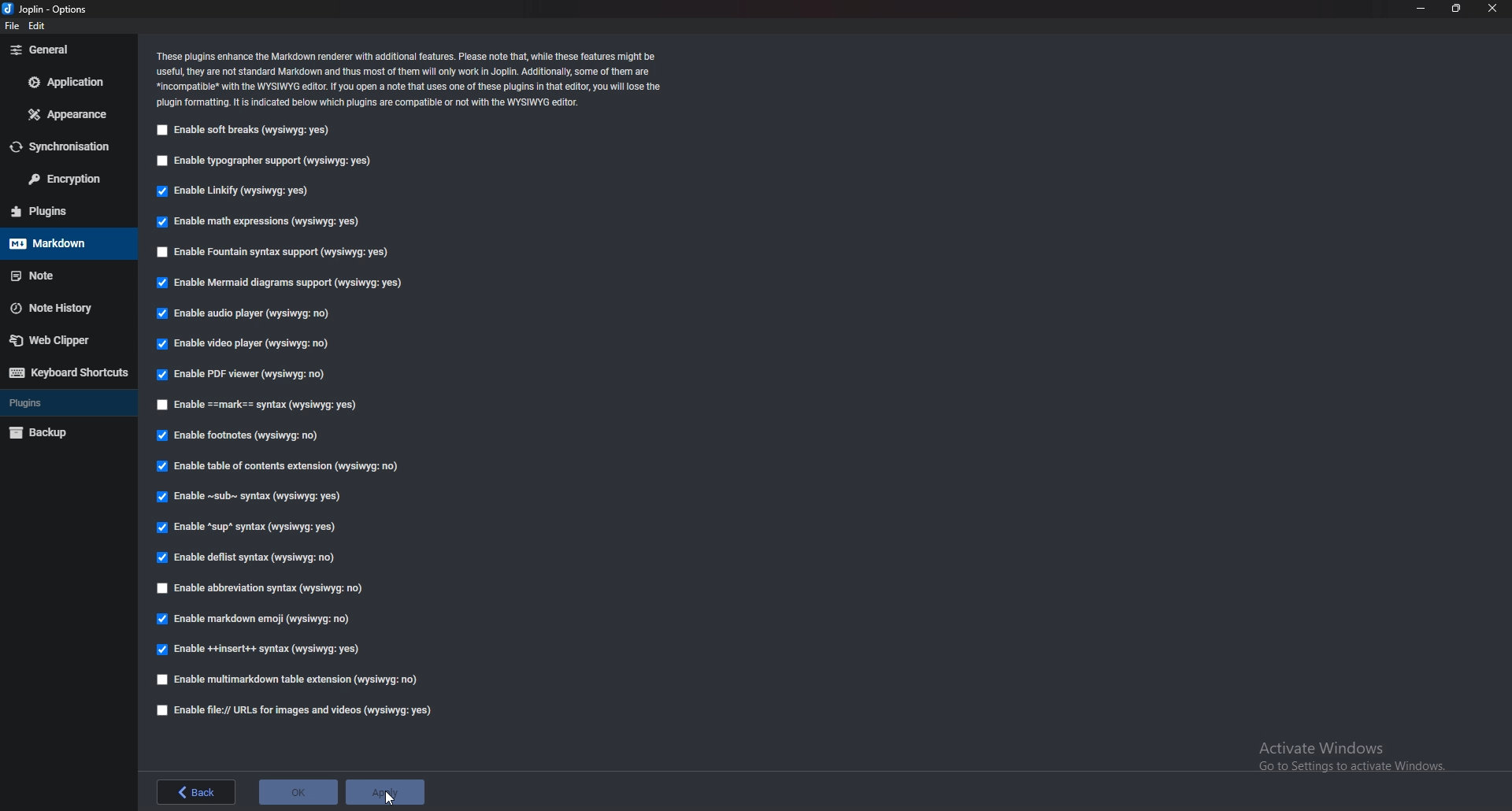 The width and height of the screenshot is (1512, 811). What do you see at coordinates (65, 307) in the screenshot?
I see `Note history` at bounding box center [65, 307].